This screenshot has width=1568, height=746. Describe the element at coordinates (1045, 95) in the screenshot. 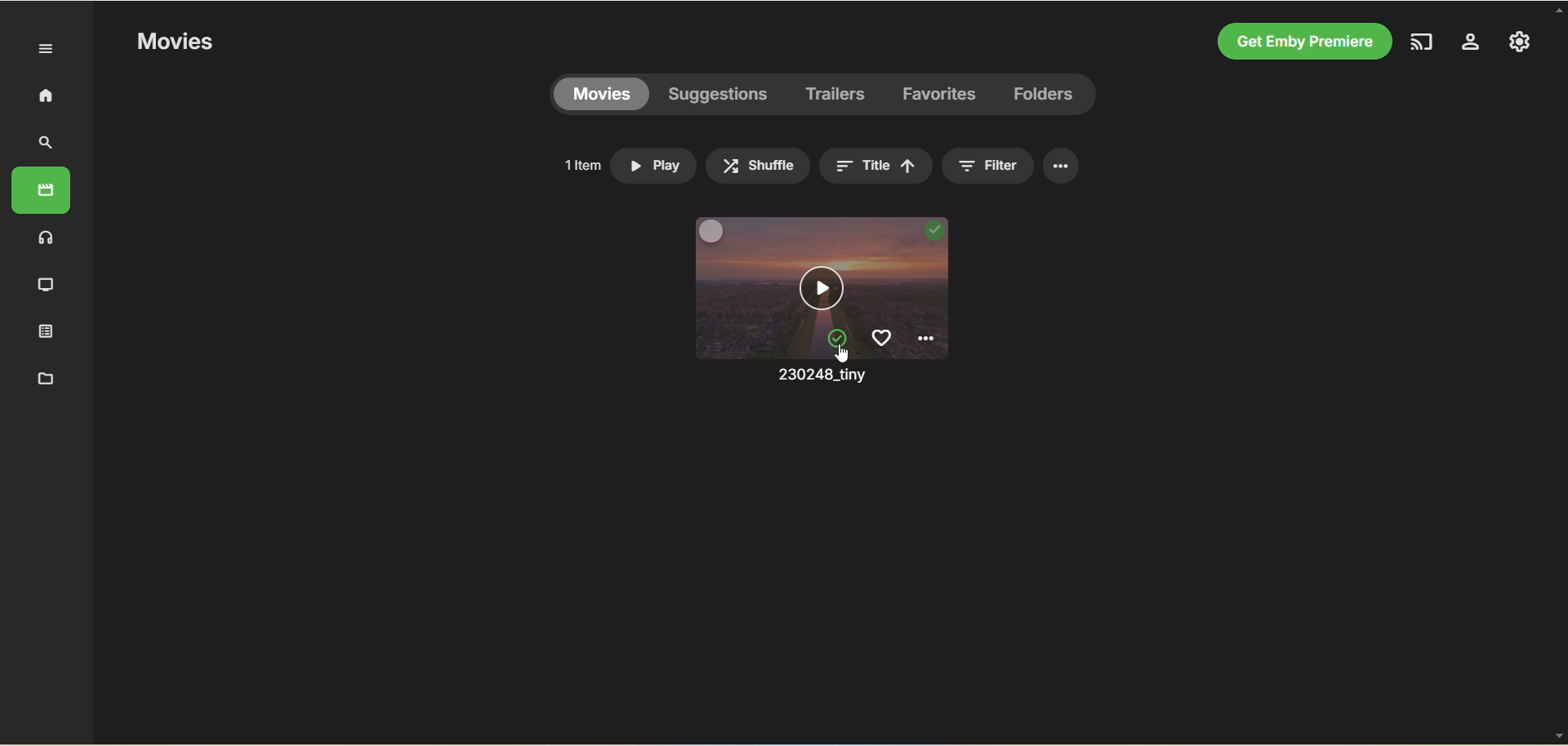

I see `folders` at that location.